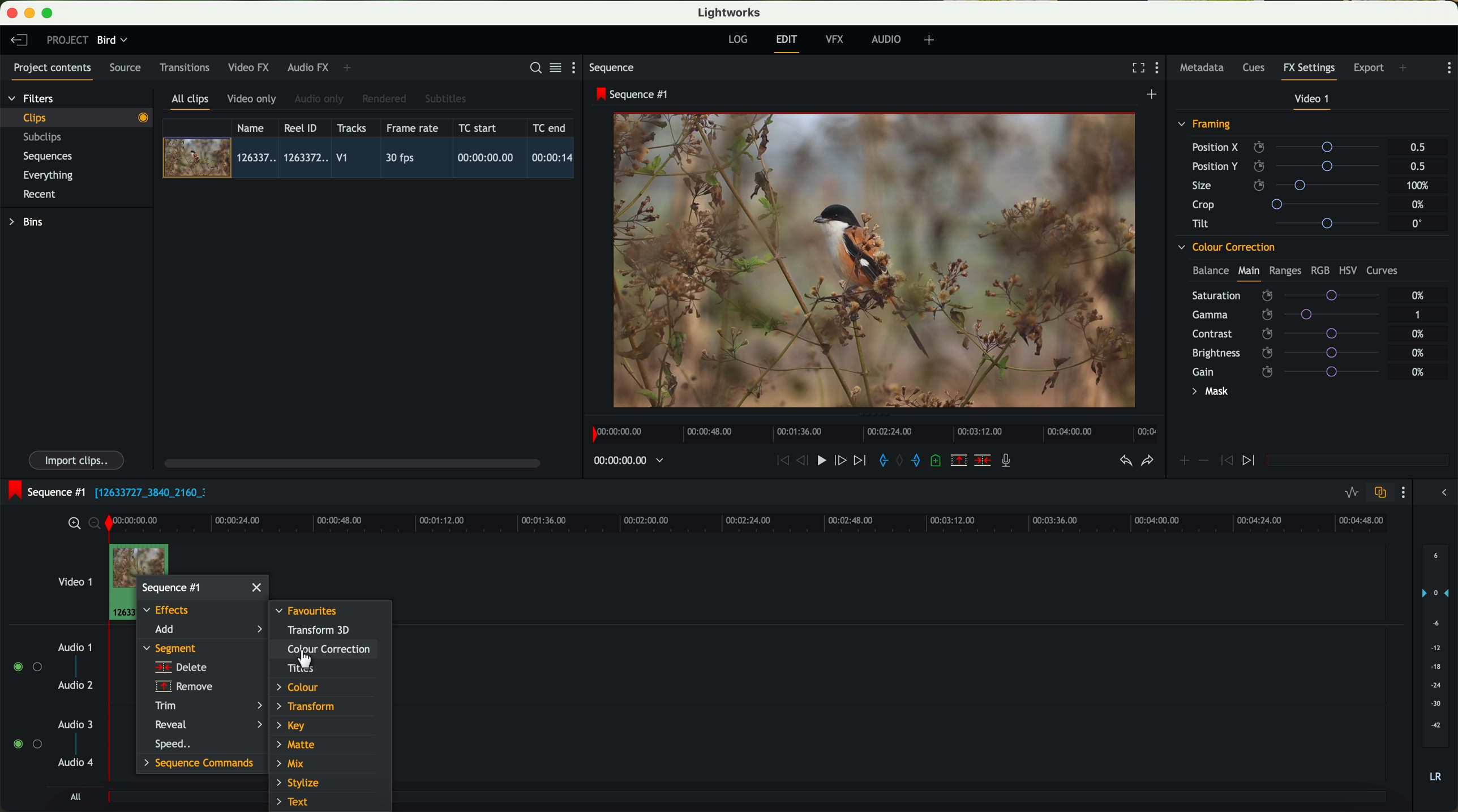  What do you see at coordinates (1153, 95) in the screenshot?
I see `create a new sequence` at bounding box center [1153, 95].